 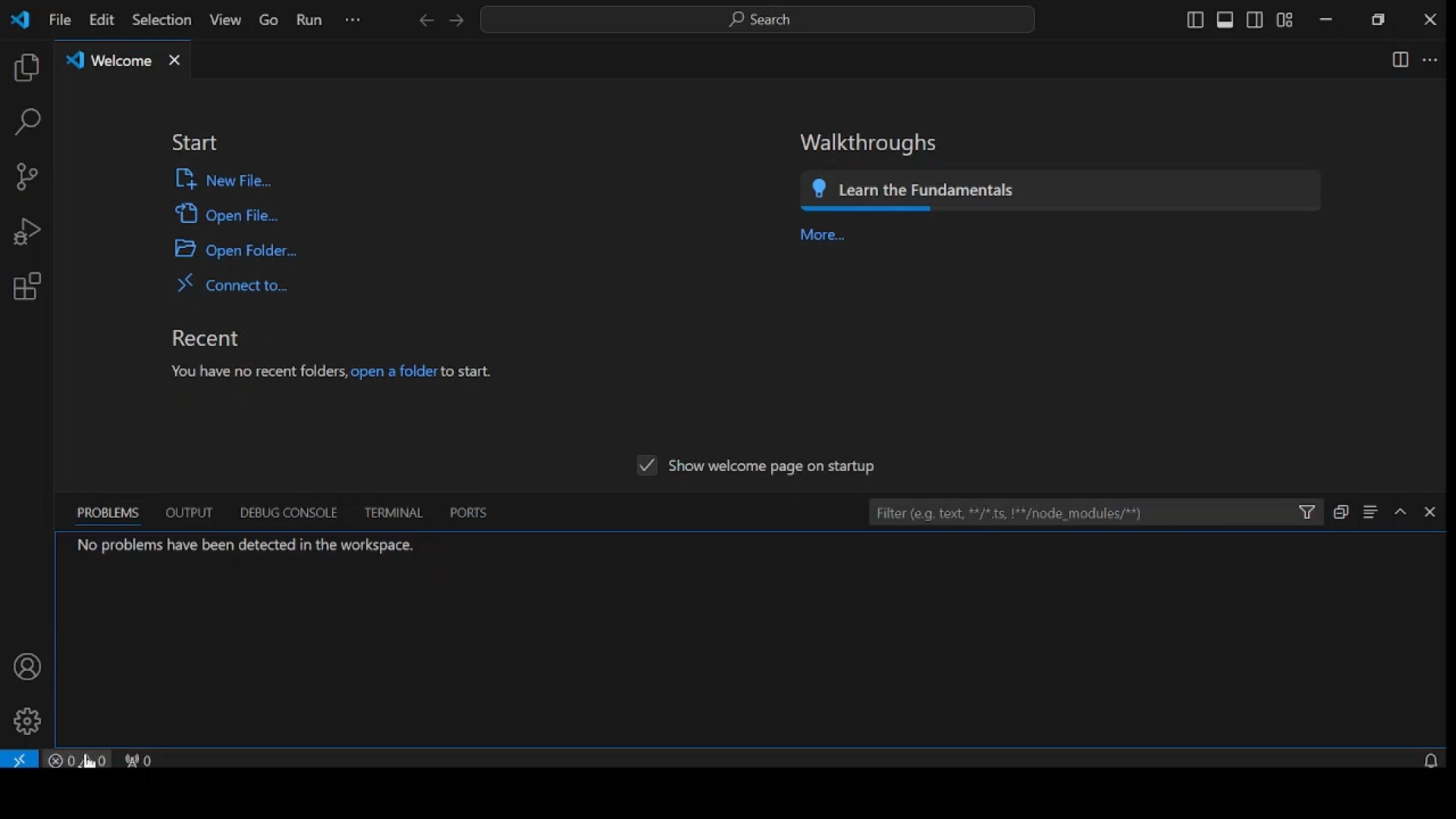 What do you see at coordinates (352, 20) in the screenshot?
I see `more options` at bounding box center [352, 20].